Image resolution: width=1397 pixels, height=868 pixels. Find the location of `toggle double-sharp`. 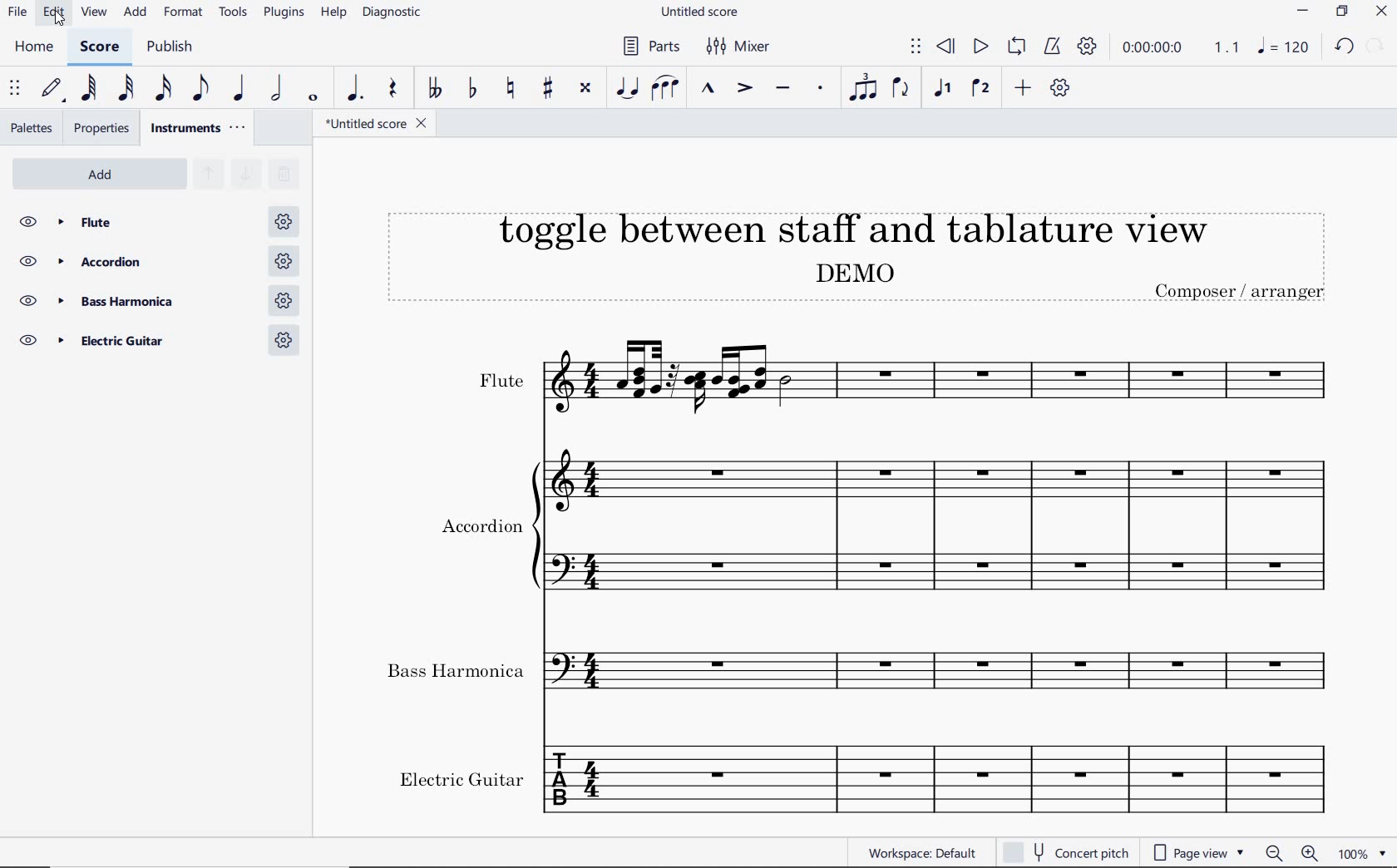

toggle double-sharp is located at coordinates (586, 89).